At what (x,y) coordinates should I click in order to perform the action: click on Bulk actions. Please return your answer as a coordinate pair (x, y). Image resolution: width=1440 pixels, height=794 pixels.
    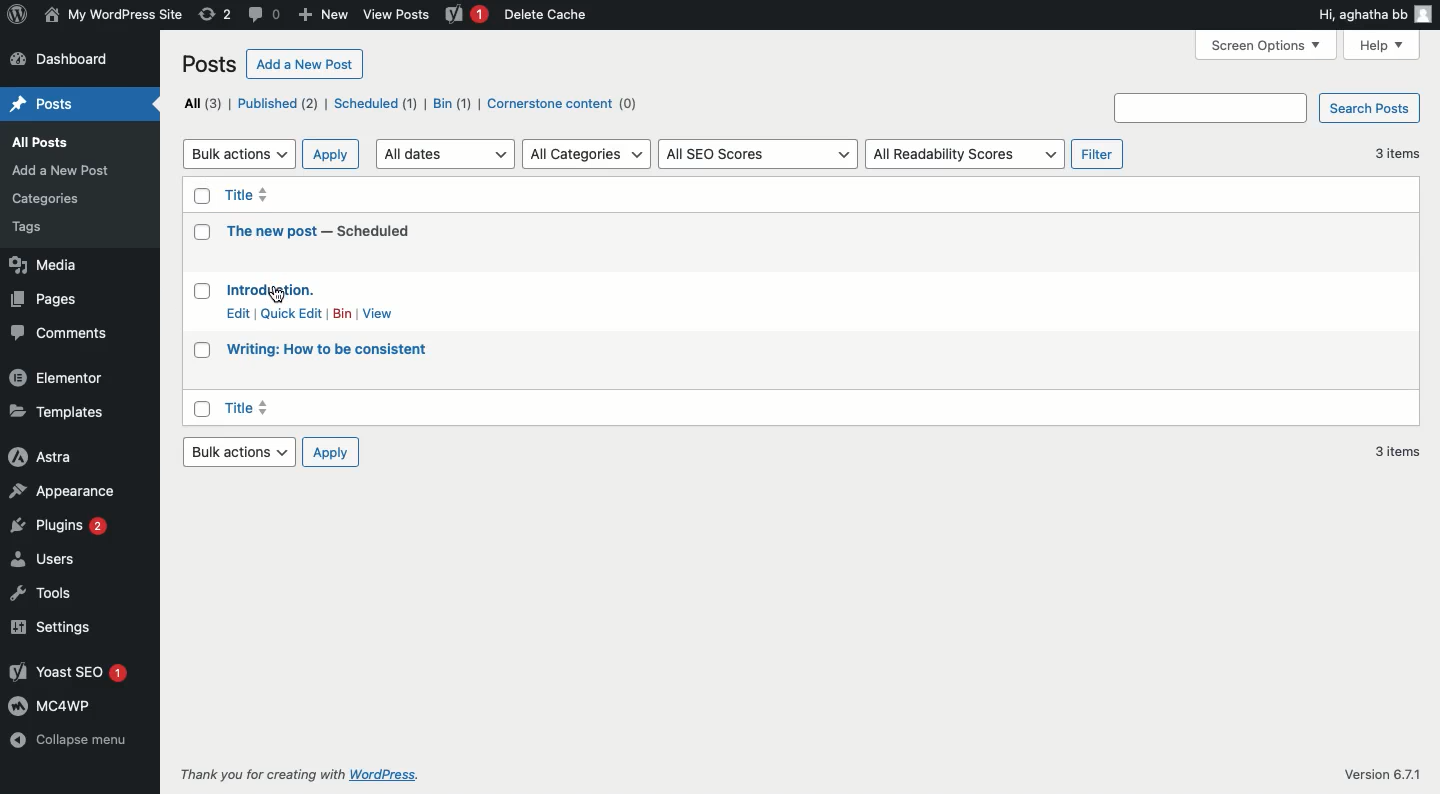
    Looking at the image, I should click on (238, 451).